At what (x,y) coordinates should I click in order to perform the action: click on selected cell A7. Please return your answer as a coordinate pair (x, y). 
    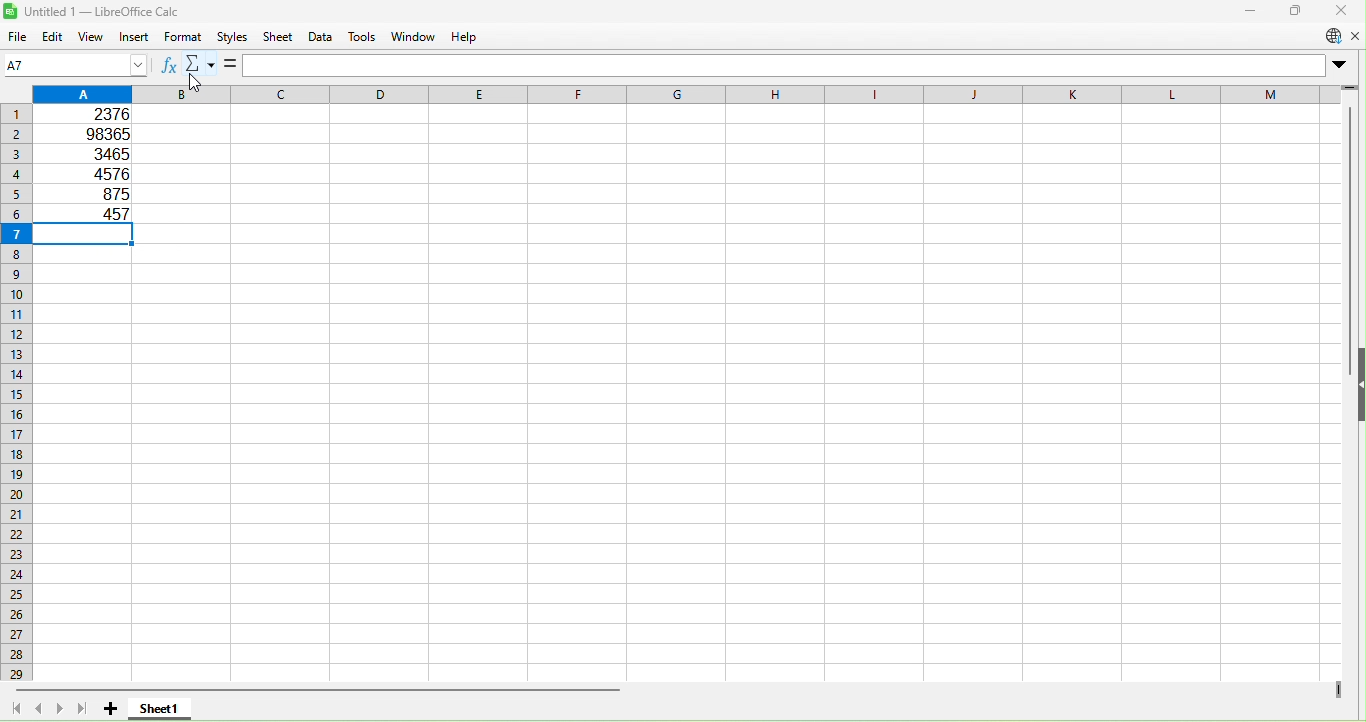
    Looking at the image, I should click on (86, 235).